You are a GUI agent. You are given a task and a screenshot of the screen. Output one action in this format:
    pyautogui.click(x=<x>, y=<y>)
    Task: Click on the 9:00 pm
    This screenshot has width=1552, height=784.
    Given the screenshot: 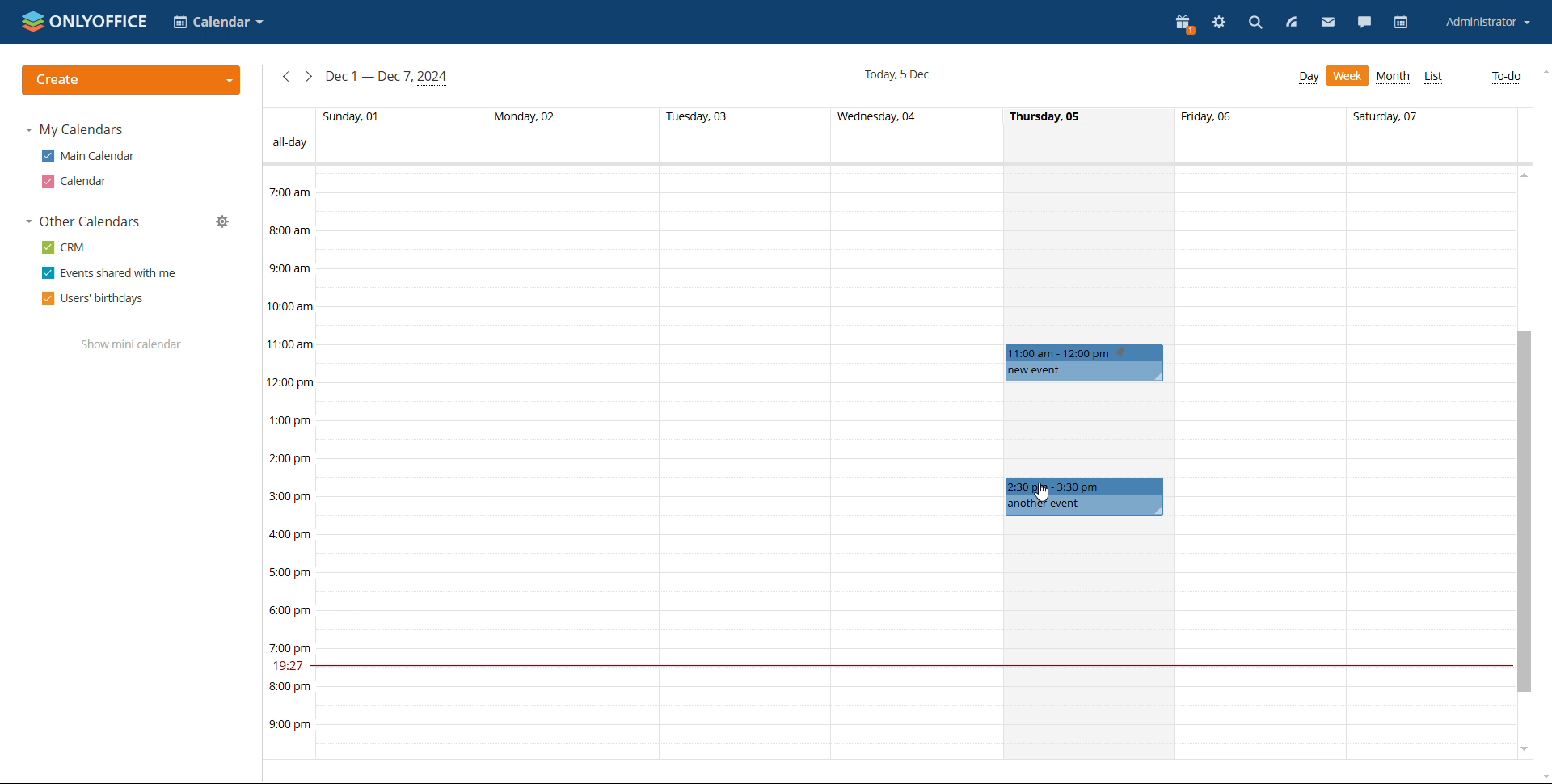 What is the action you would take?
    pyautogui.click(x=286, y=725)
    